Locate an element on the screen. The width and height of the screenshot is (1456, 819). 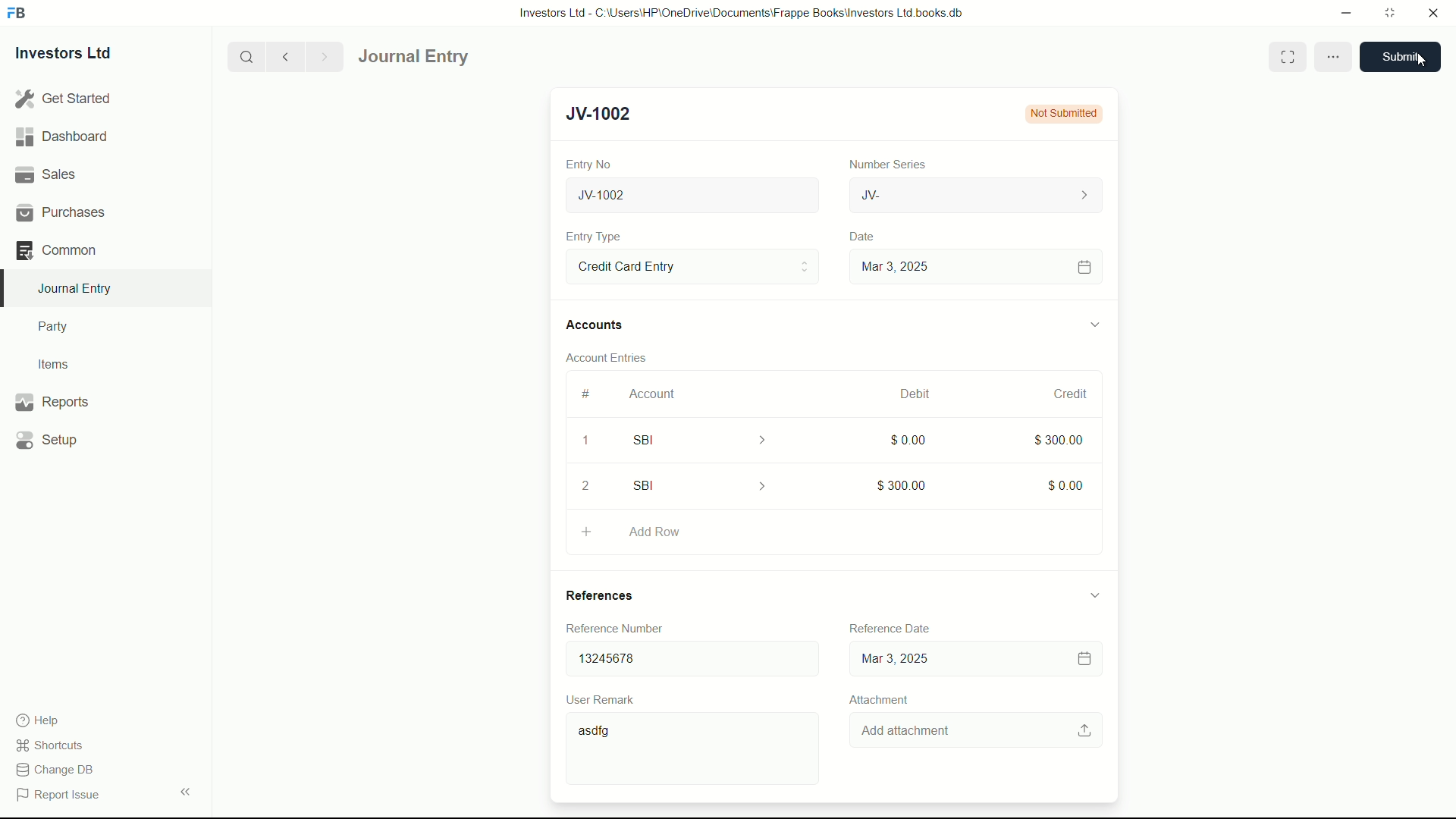
User Remark is located at coordinates (604, 698).